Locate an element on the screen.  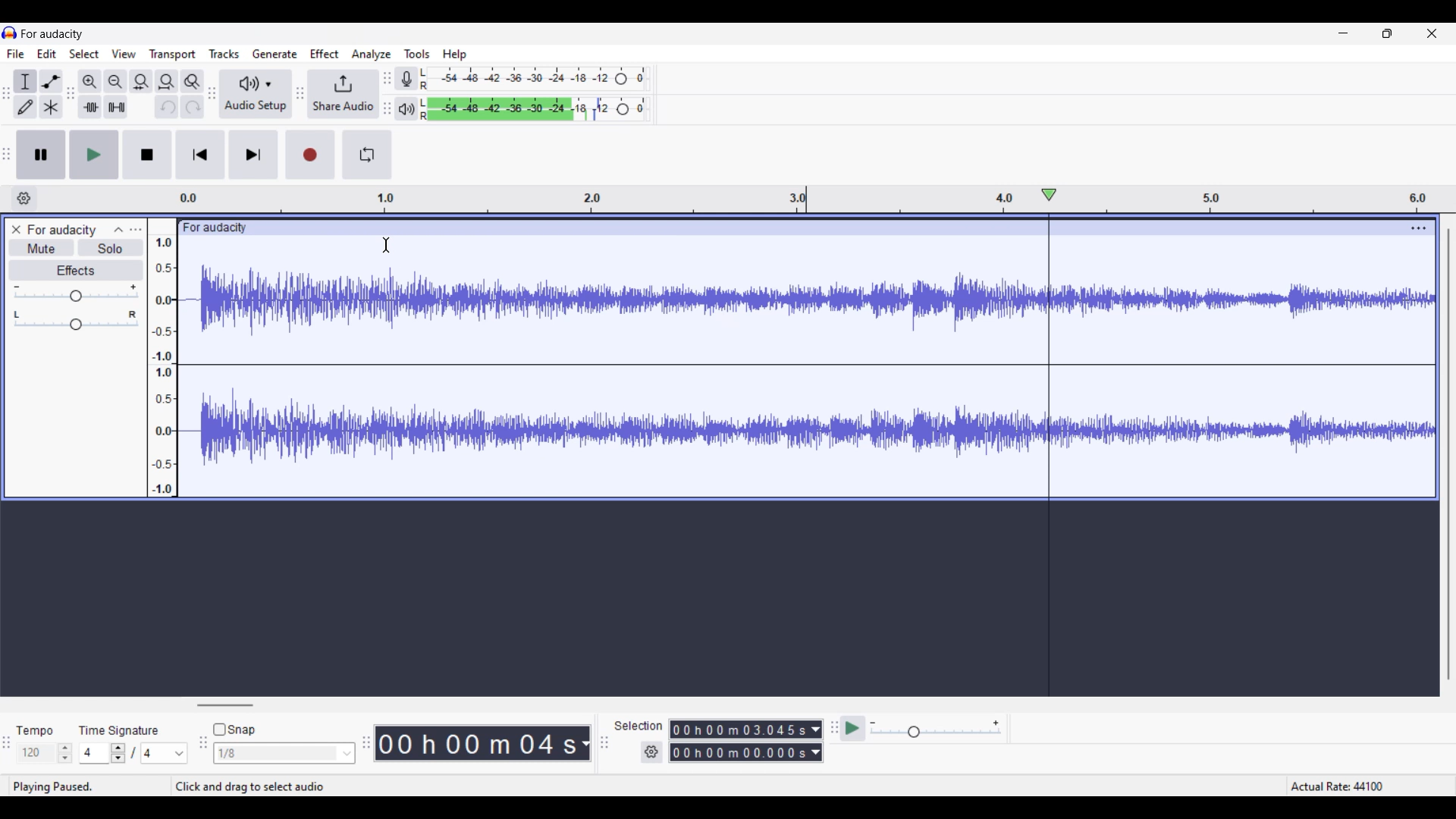
View menu is located at coordinates (124, 53).